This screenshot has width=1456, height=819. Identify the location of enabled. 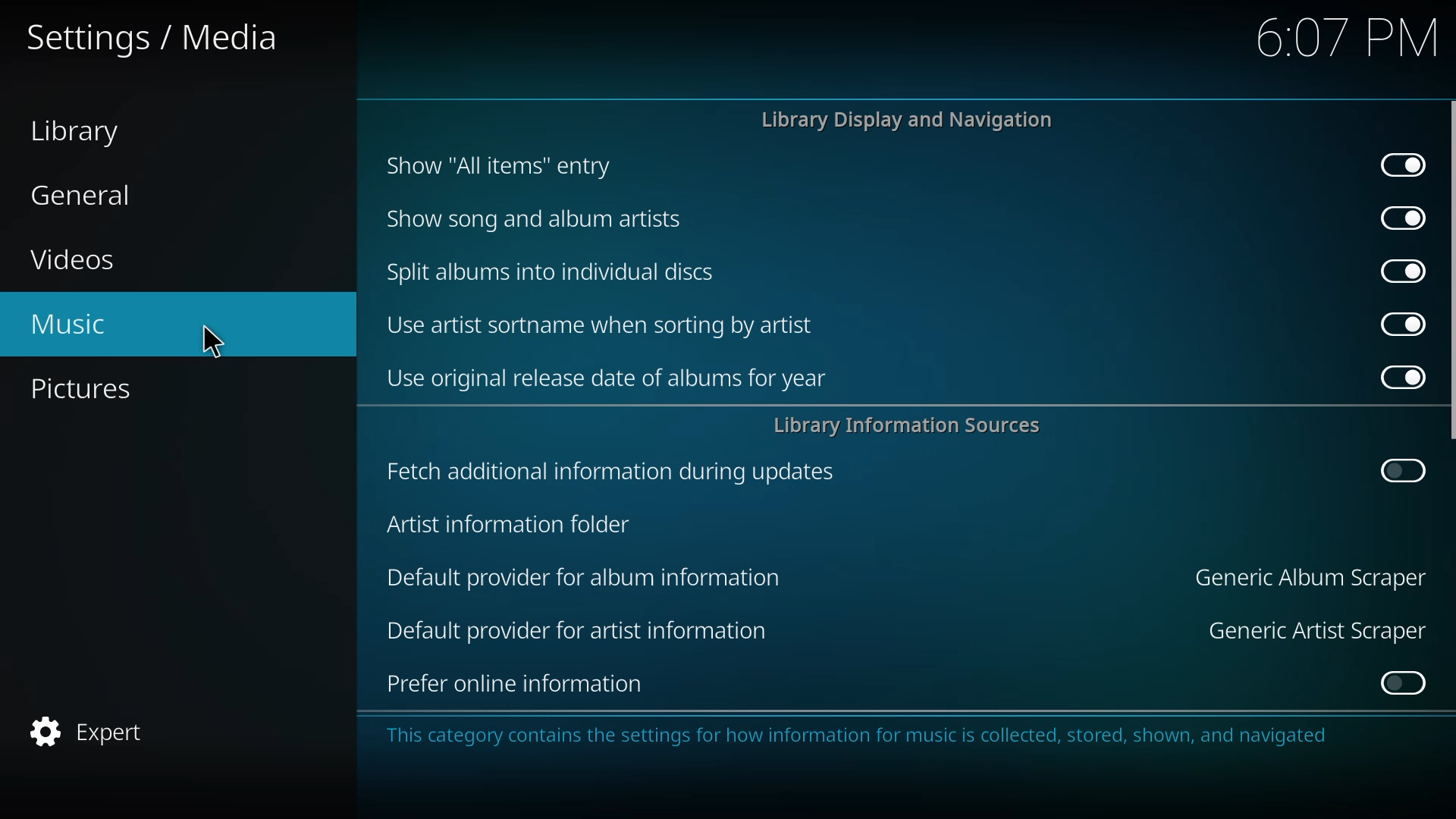
(1404, 269).